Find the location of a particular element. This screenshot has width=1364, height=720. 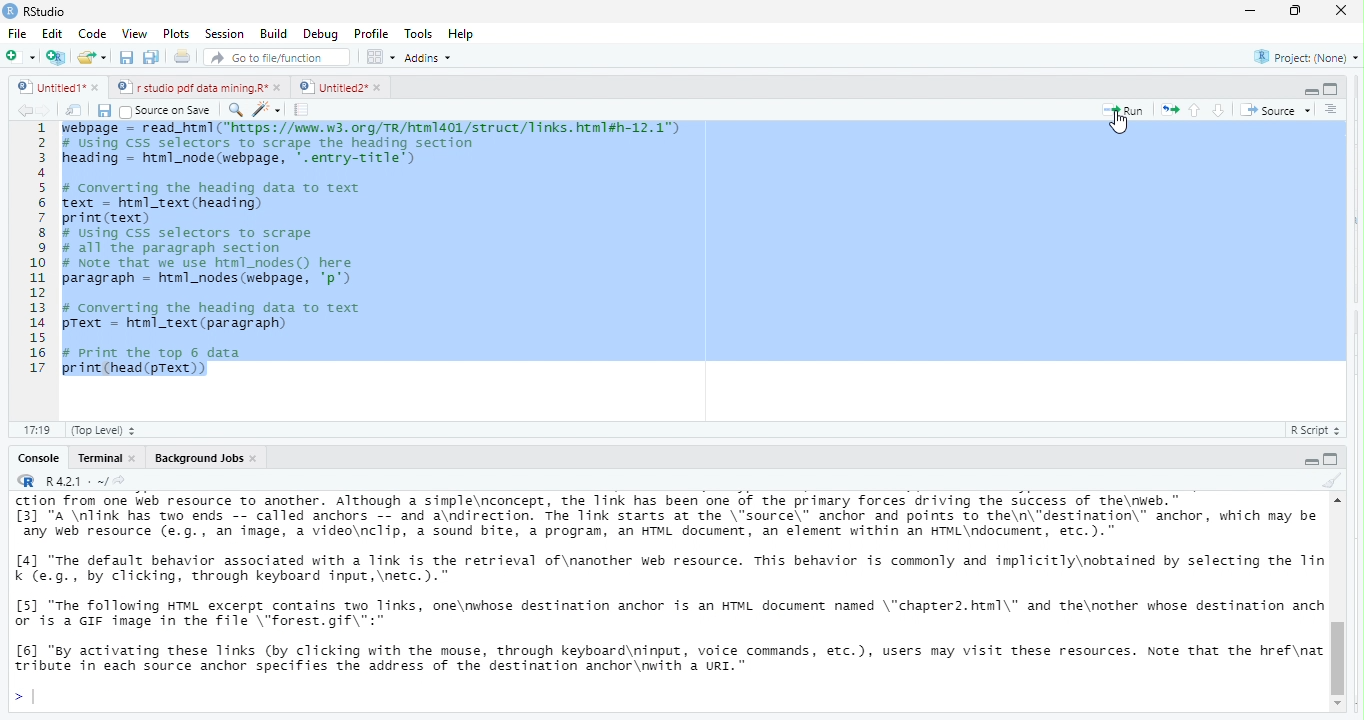

show in new window is located at coordinates (75, 112).